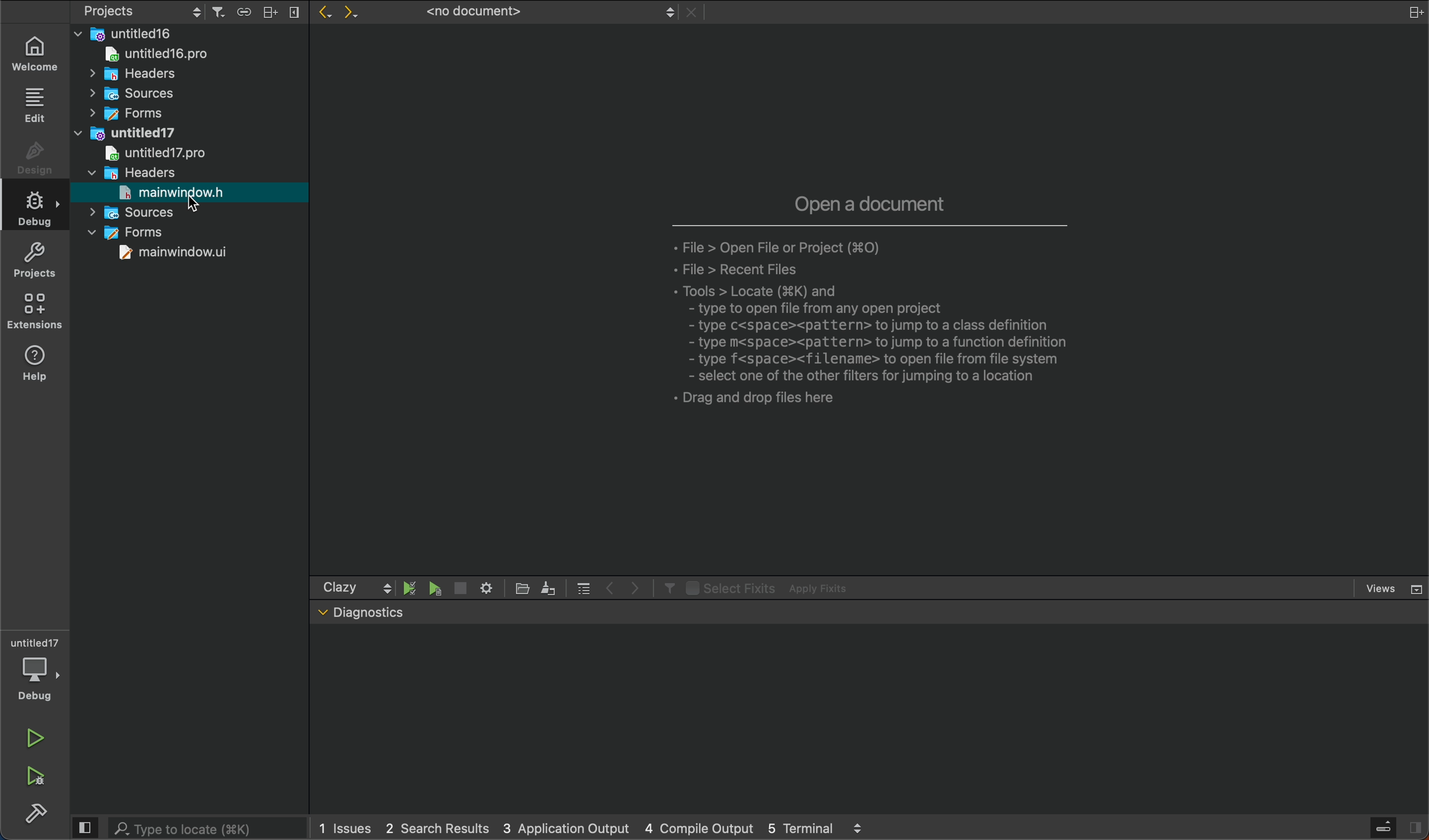 Image resolution: width=1429 pixels, height=840 pixels. Describe the element at coordinates (33, 670) in the screenshot. I see `debugger` at that location.